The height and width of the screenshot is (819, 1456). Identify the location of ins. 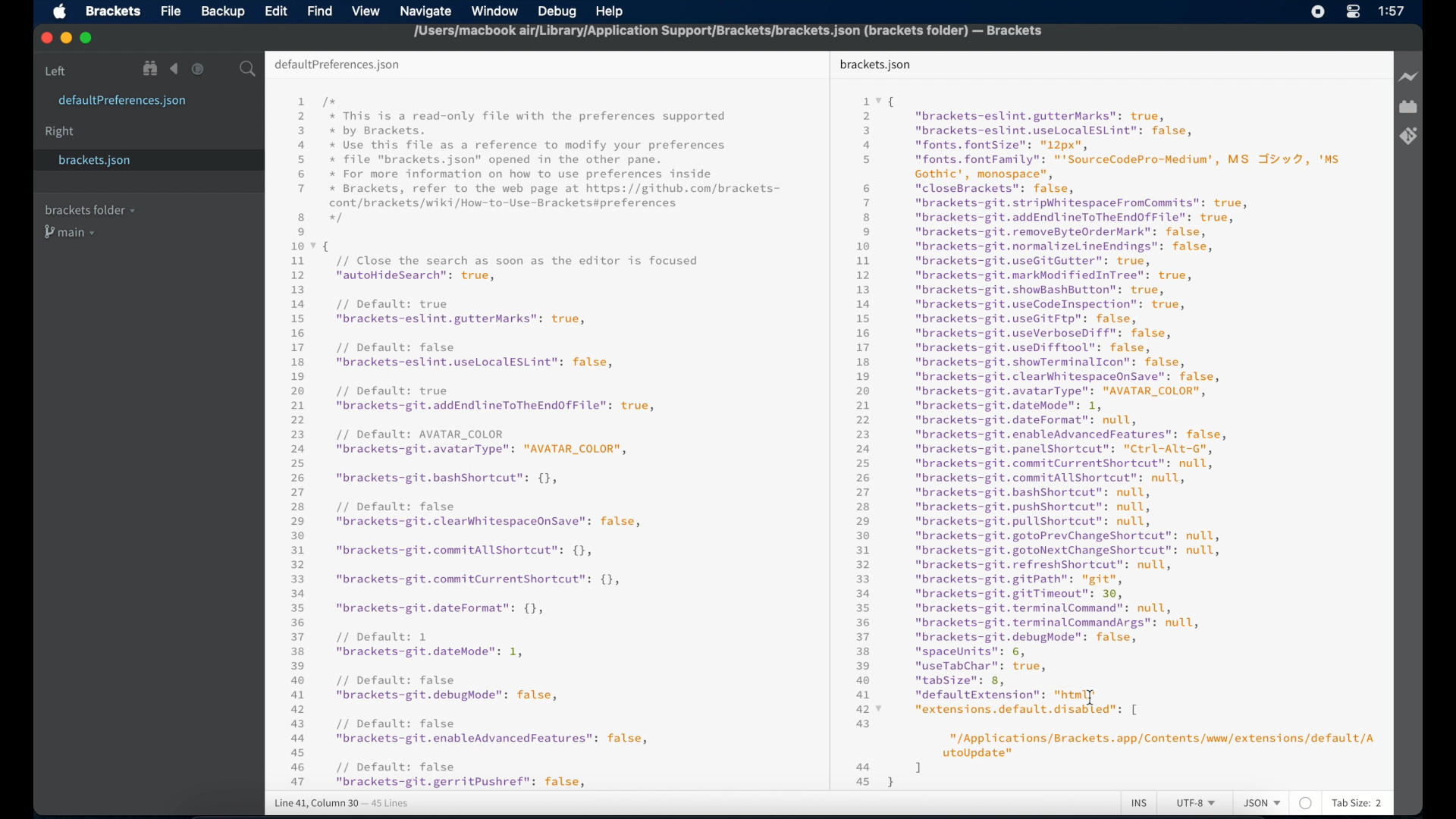
(1140, 804).